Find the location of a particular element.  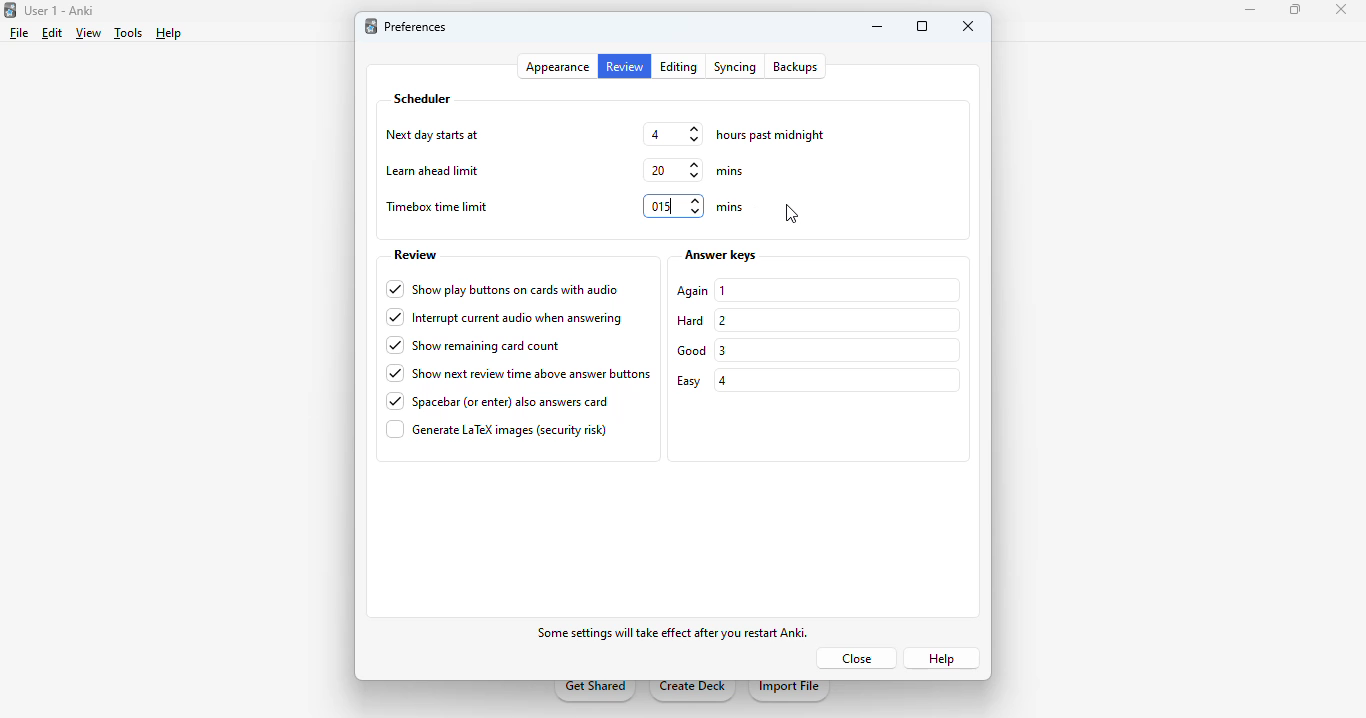

minimize is located at coordinates (877, 26).